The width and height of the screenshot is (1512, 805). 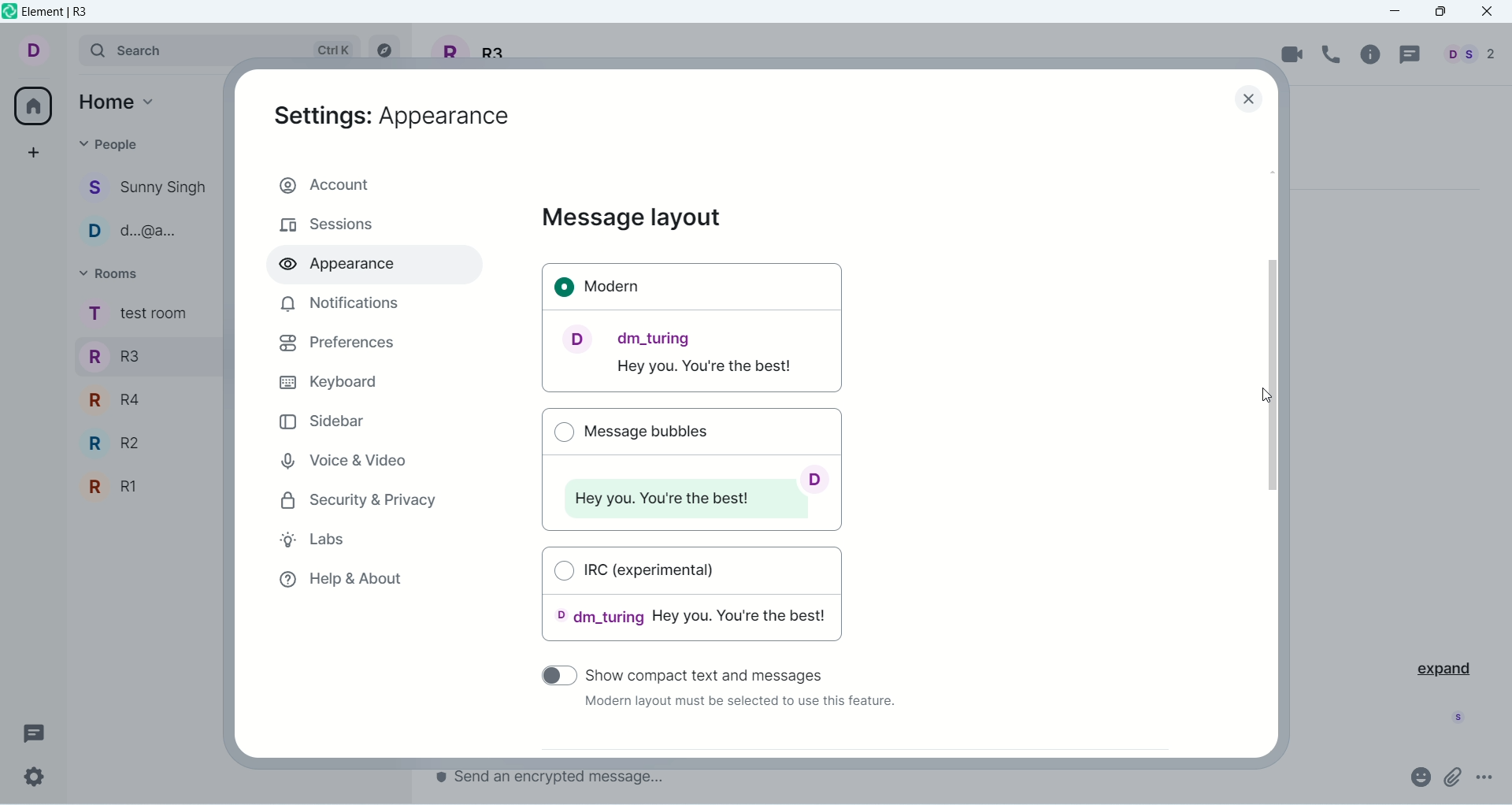 What do you see at coordinates (1262, 398) in the screenshot?
I see `cursor` at bounding box center [1262, 398].